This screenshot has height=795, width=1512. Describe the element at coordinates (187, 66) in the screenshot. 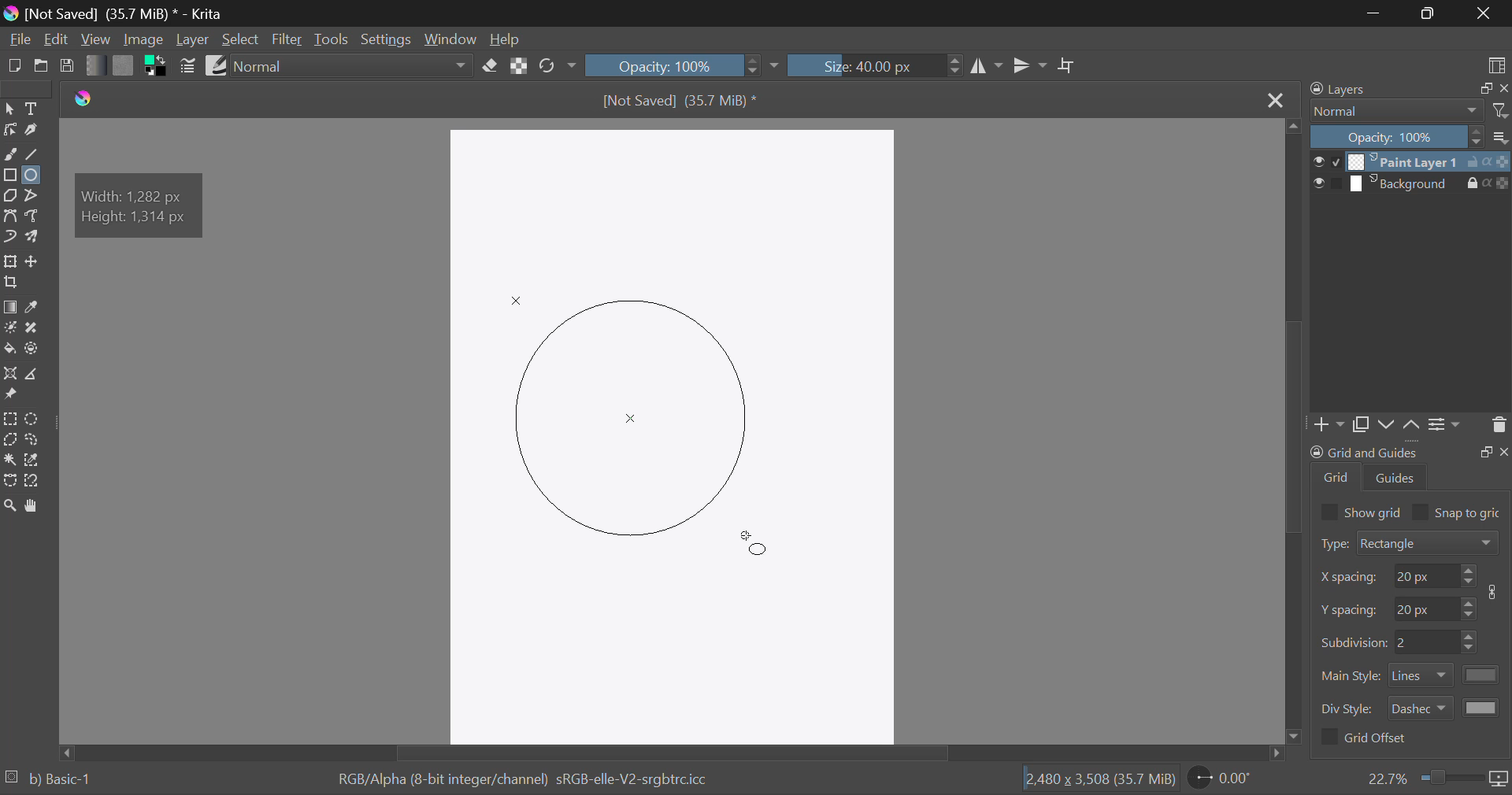

I see `Brush Settings` at that location.